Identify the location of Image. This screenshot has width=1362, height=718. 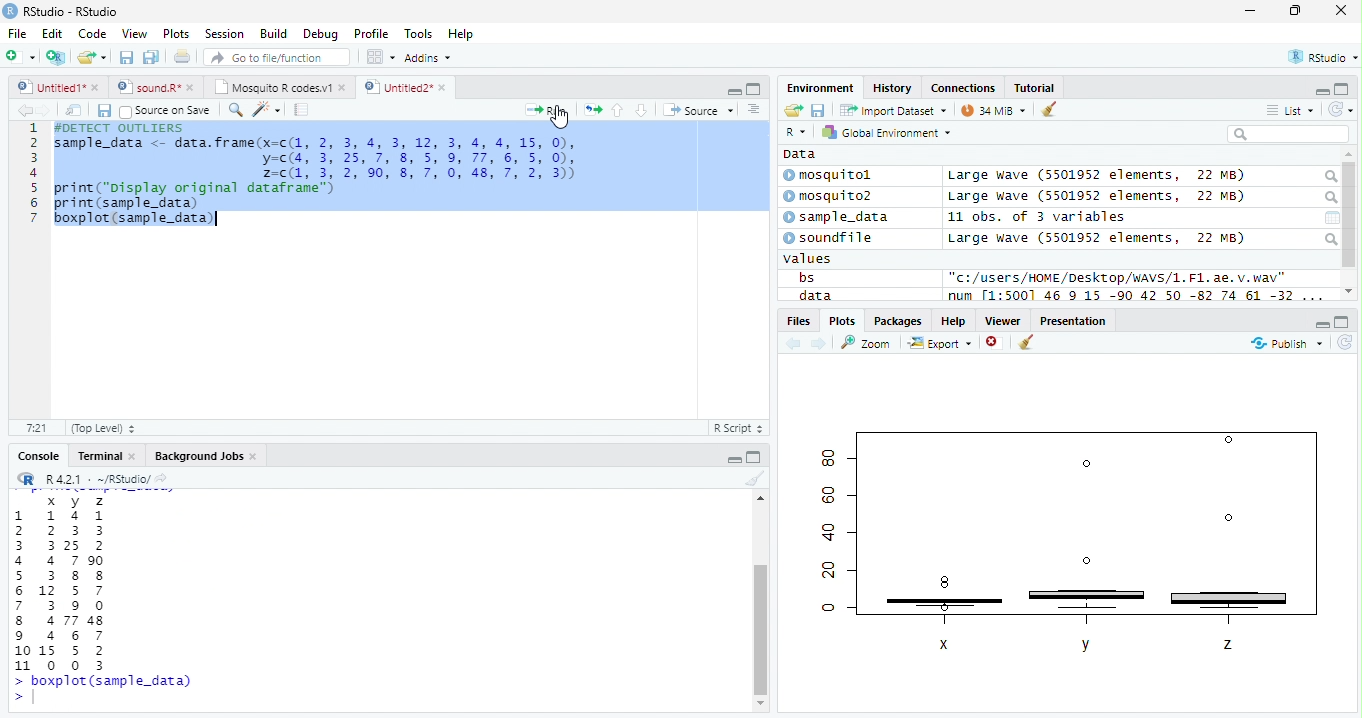
(1072, 539).